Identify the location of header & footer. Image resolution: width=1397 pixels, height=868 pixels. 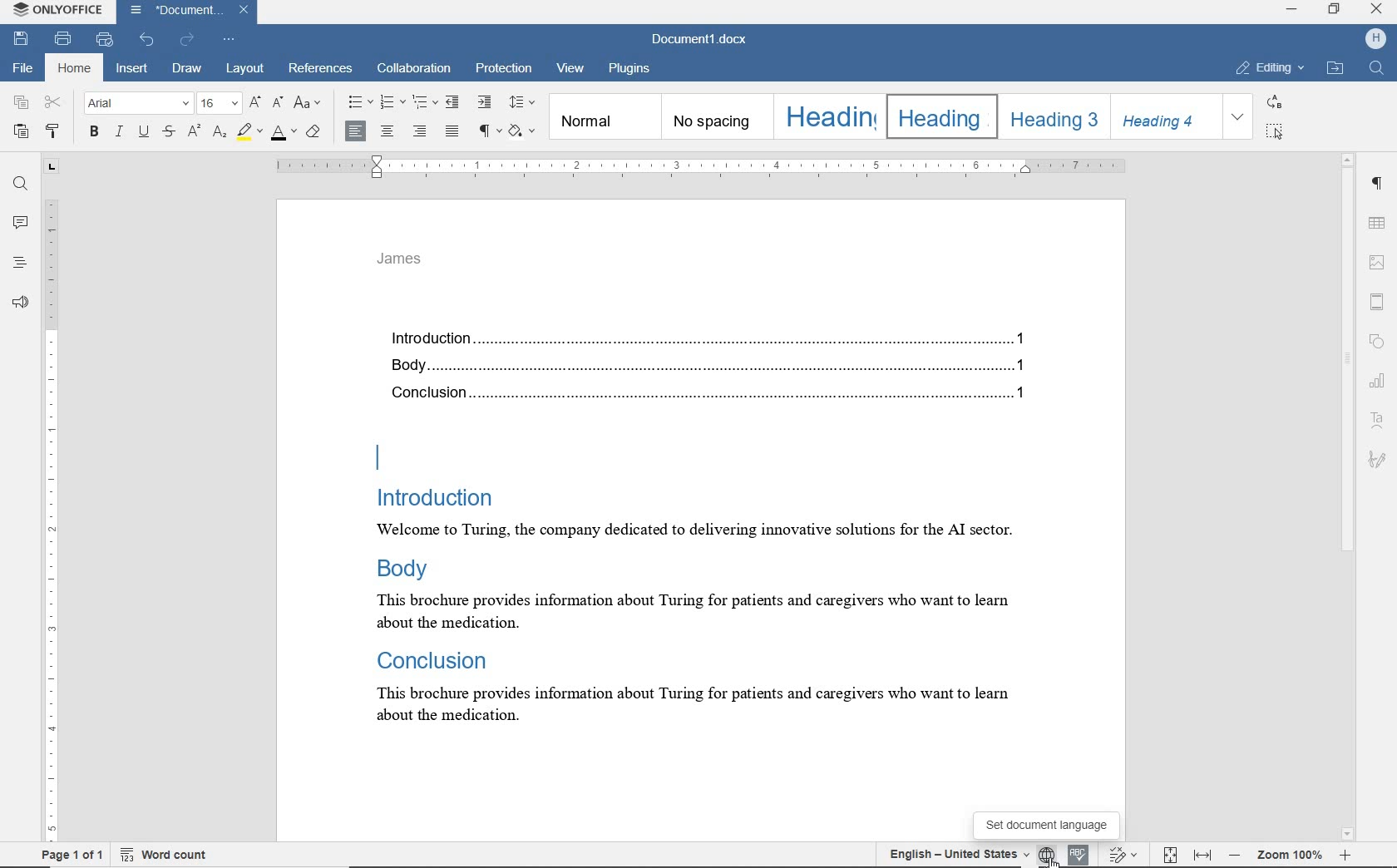
(1380, 301).